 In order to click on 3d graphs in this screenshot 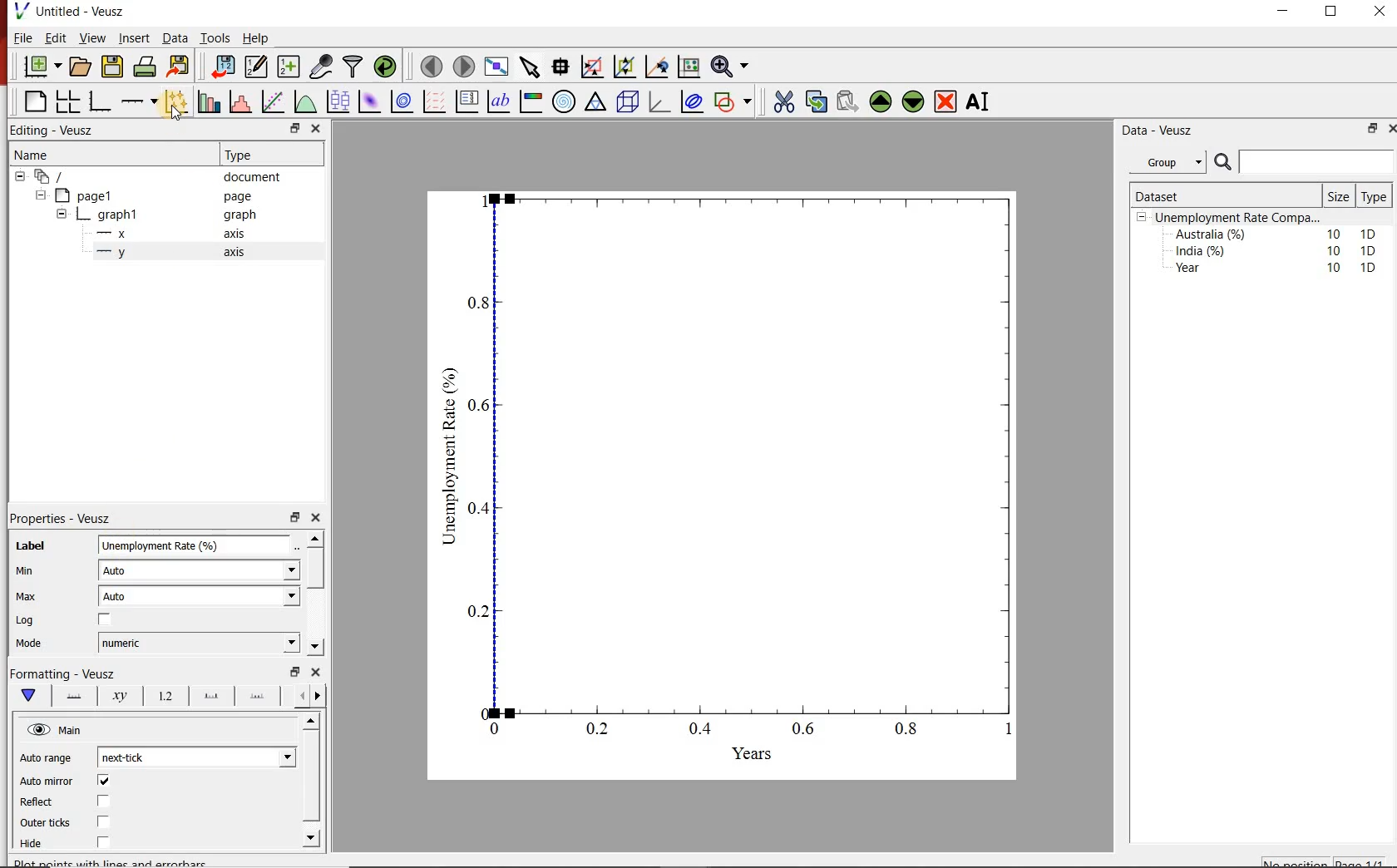, I will do `click(659, 101)`.